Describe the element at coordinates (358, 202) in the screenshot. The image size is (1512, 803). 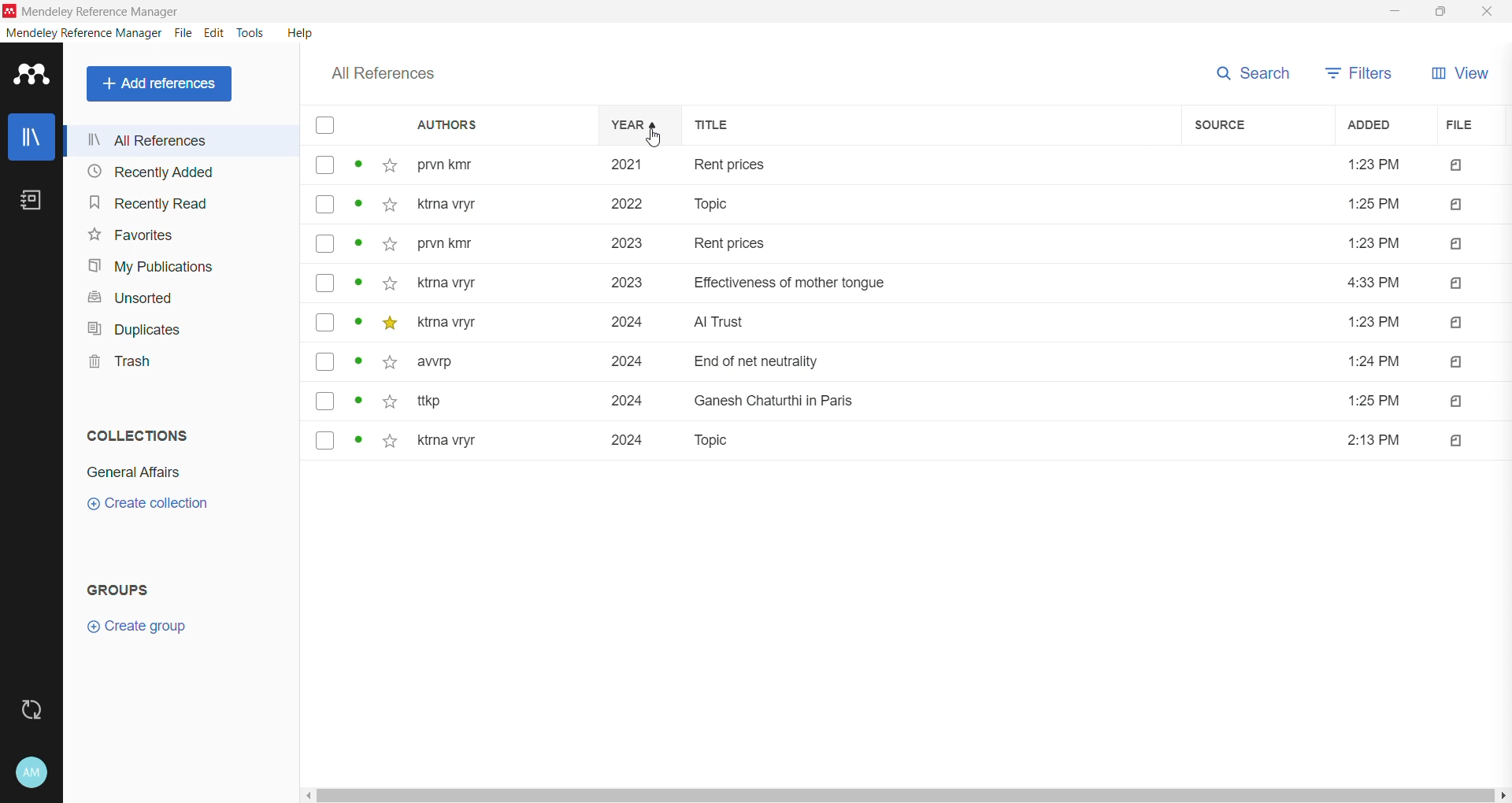
I see `unread` at that location.